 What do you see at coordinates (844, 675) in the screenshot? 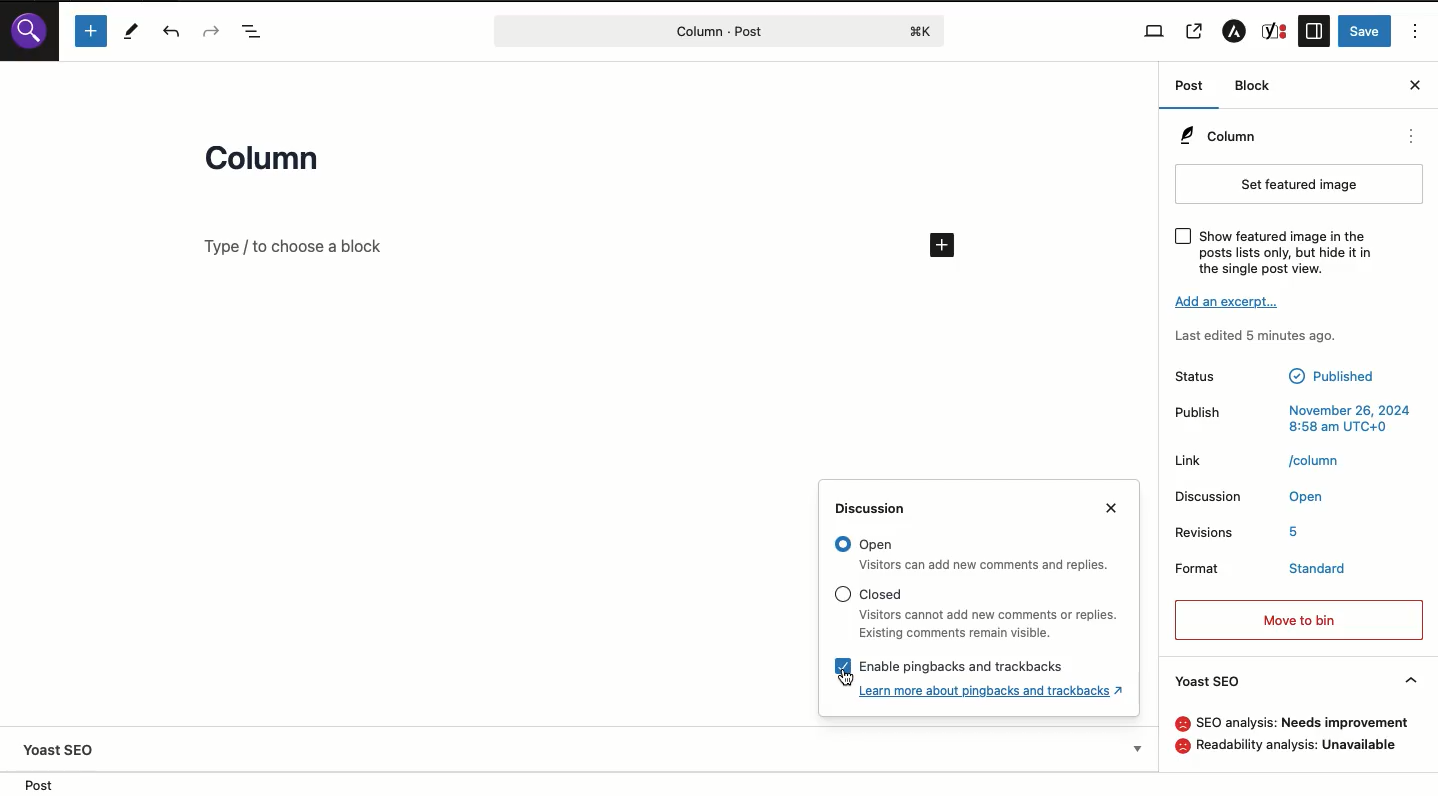
I see `cursor` at bounding box center [844, 675].